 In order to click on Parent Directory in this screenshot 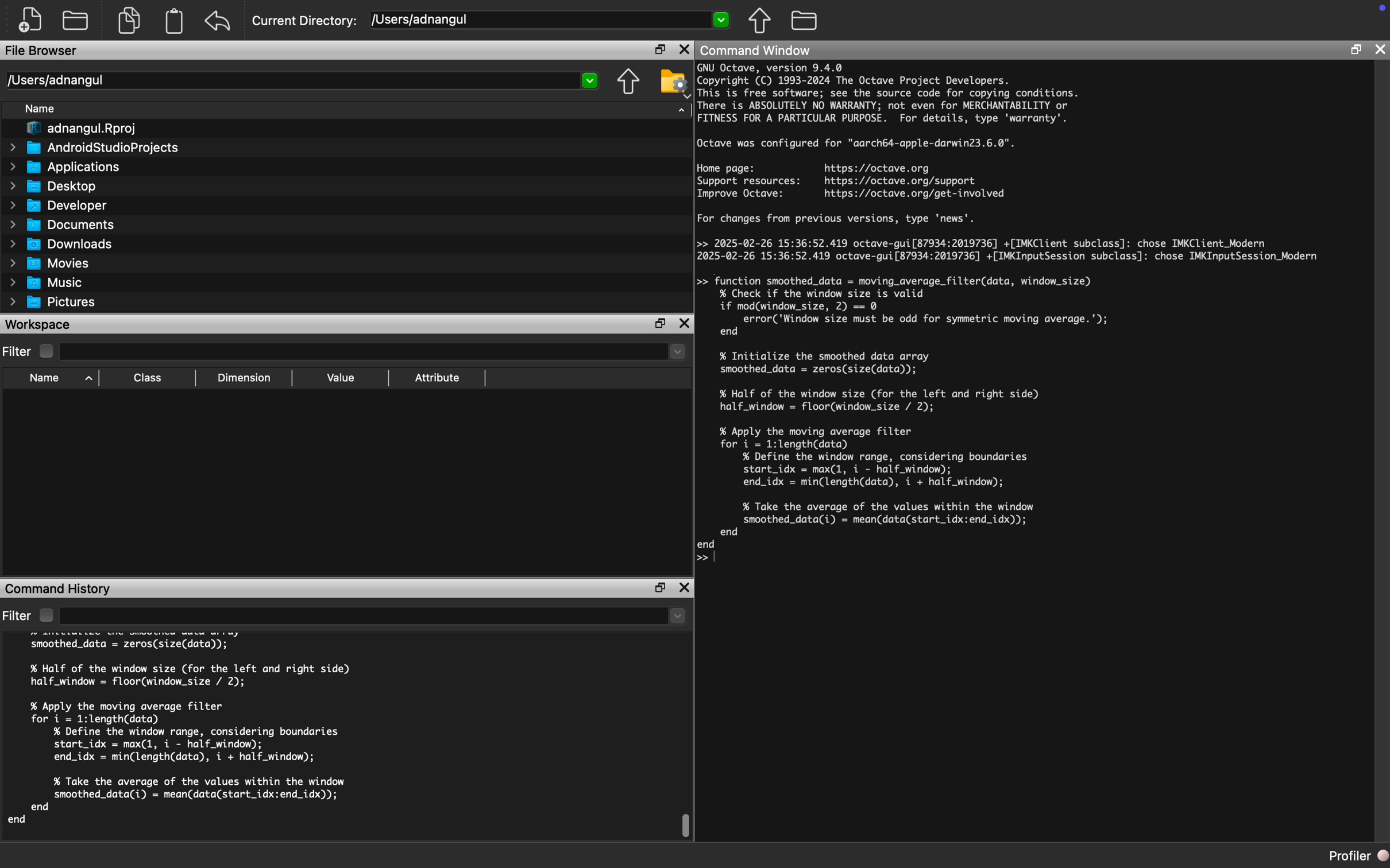, I will do `click(761, 22)`.